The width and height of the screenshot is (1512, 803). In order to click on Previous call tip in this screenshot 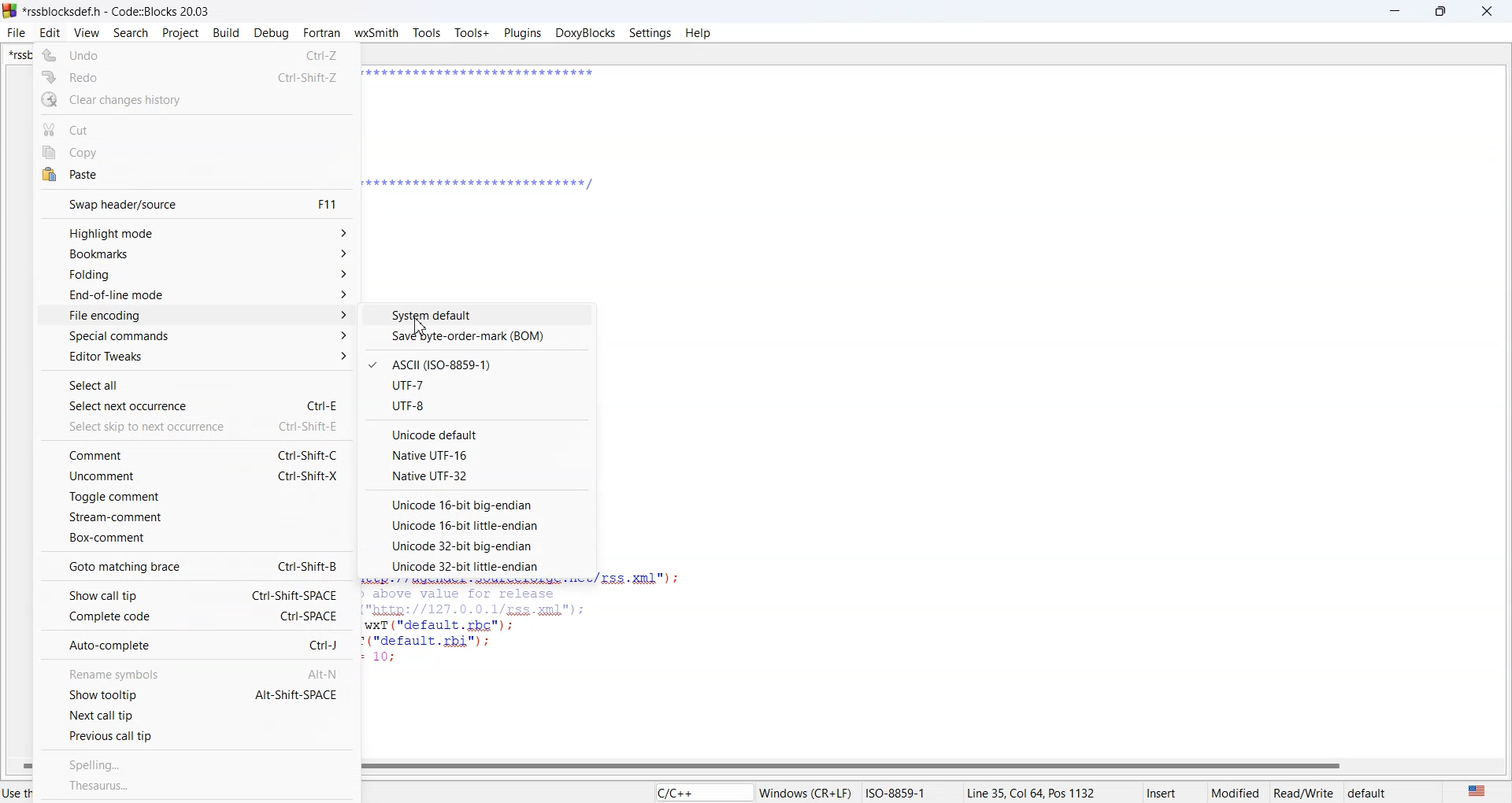, I will do `click(196, 735)`.